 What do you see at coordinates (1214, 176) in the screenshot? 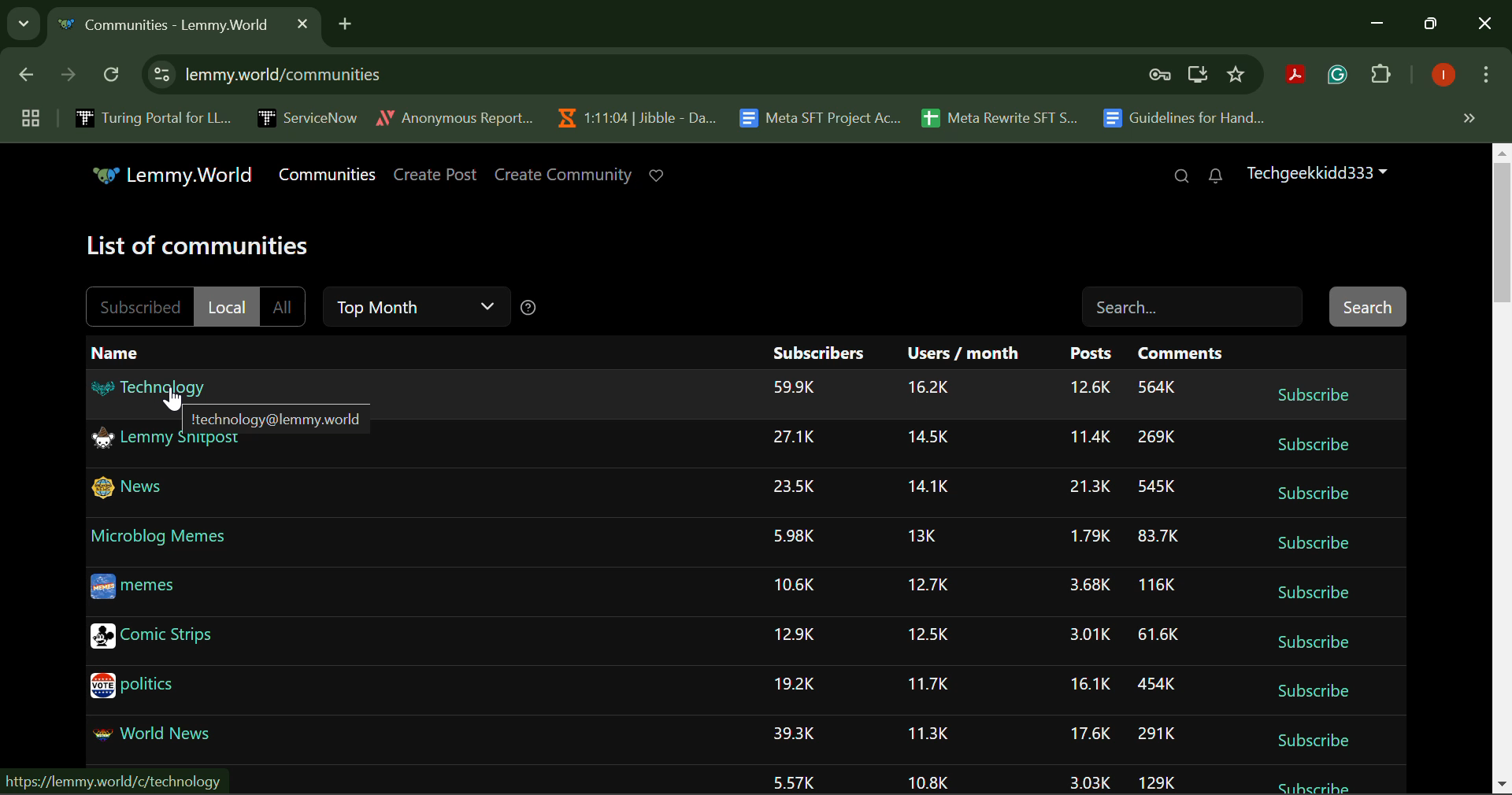
I see `Notifications` at bounding box center [1214, 176].